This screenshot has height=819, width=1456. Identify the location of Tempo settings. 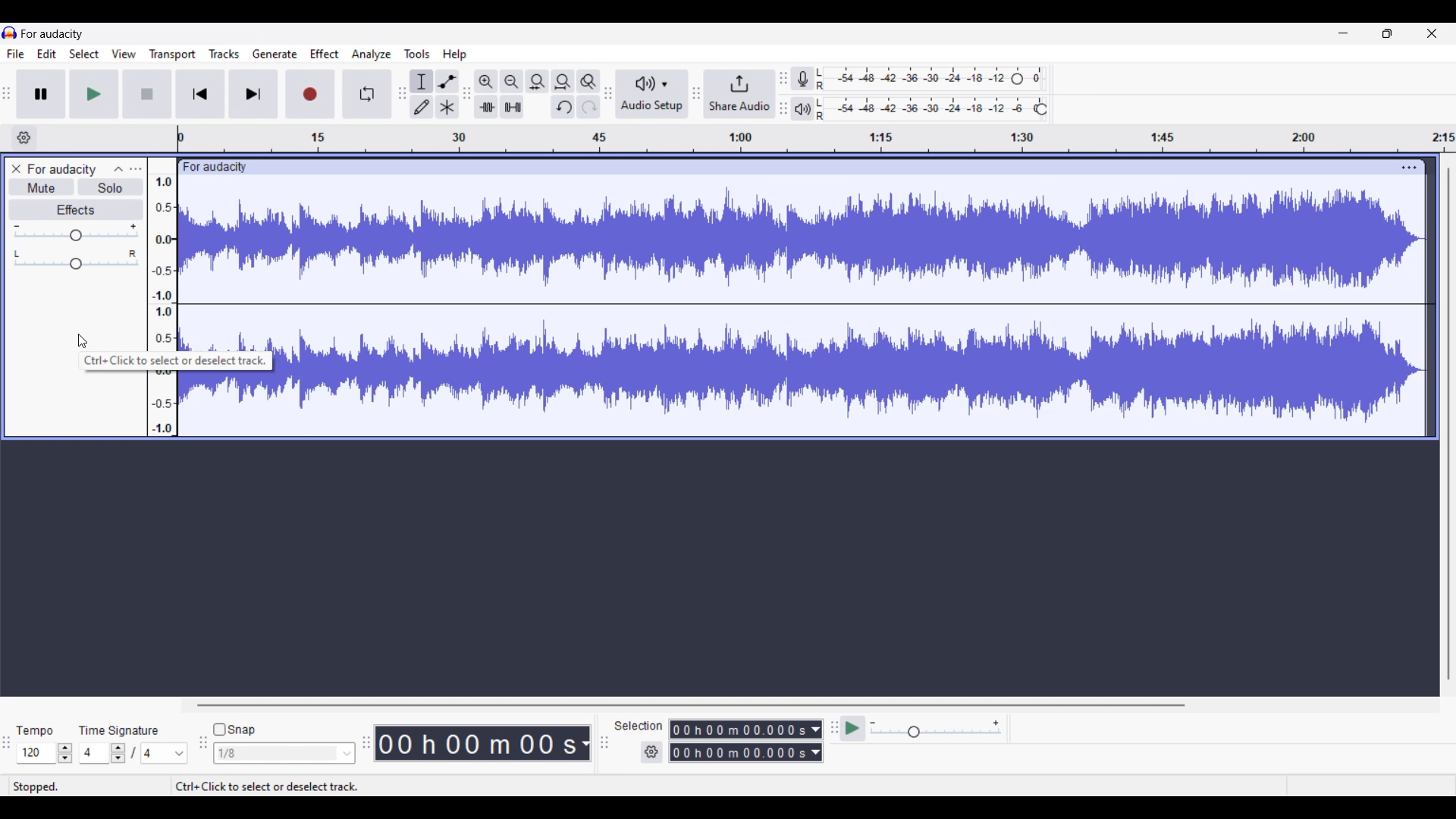
(45, 753).